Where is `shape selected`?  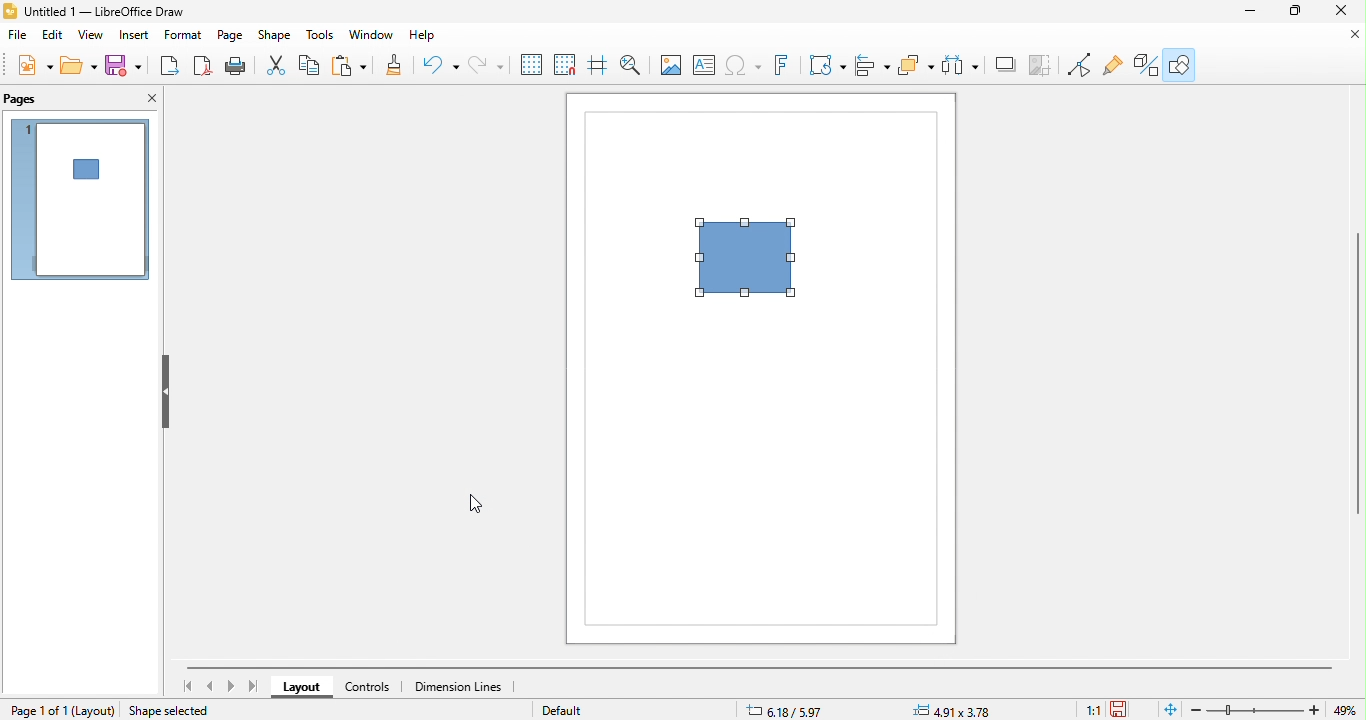
shape selected is located at coordinates (176, 709).